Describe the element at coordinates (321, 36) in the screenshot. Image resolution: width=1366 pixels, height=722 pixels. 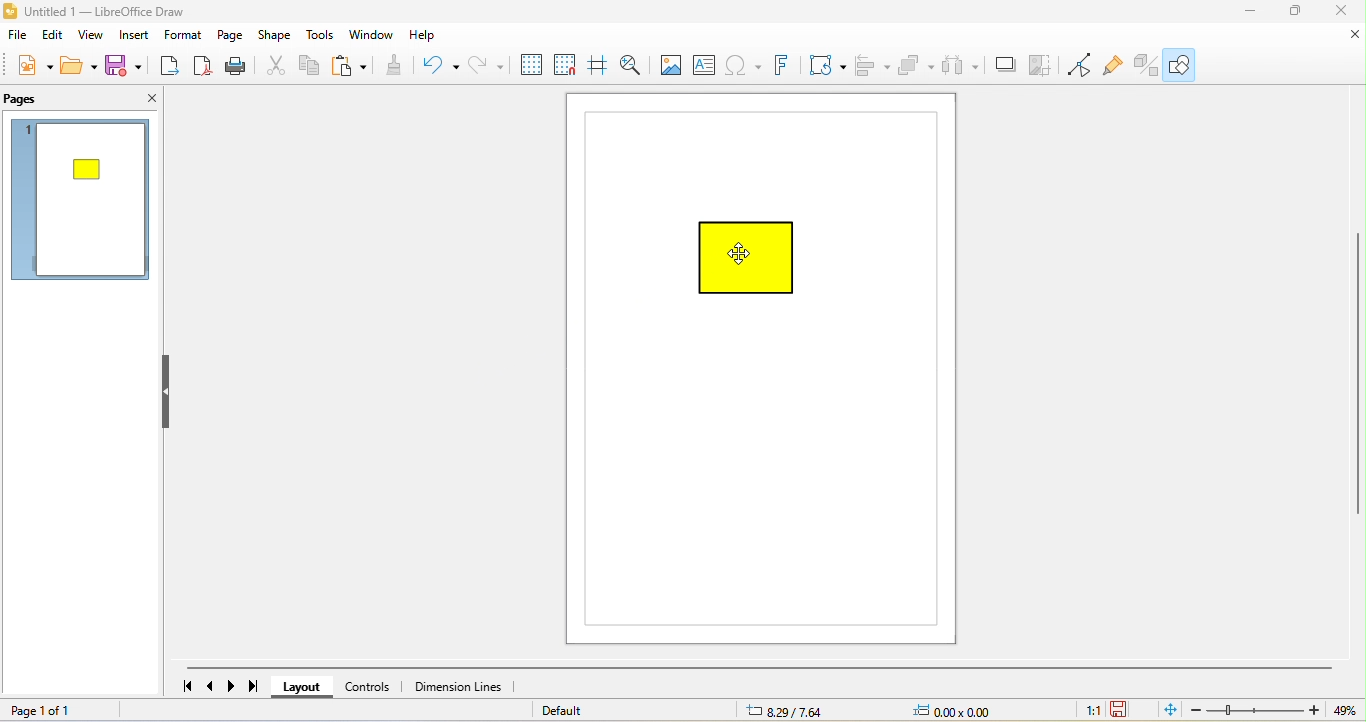
I see `tools` at that location.